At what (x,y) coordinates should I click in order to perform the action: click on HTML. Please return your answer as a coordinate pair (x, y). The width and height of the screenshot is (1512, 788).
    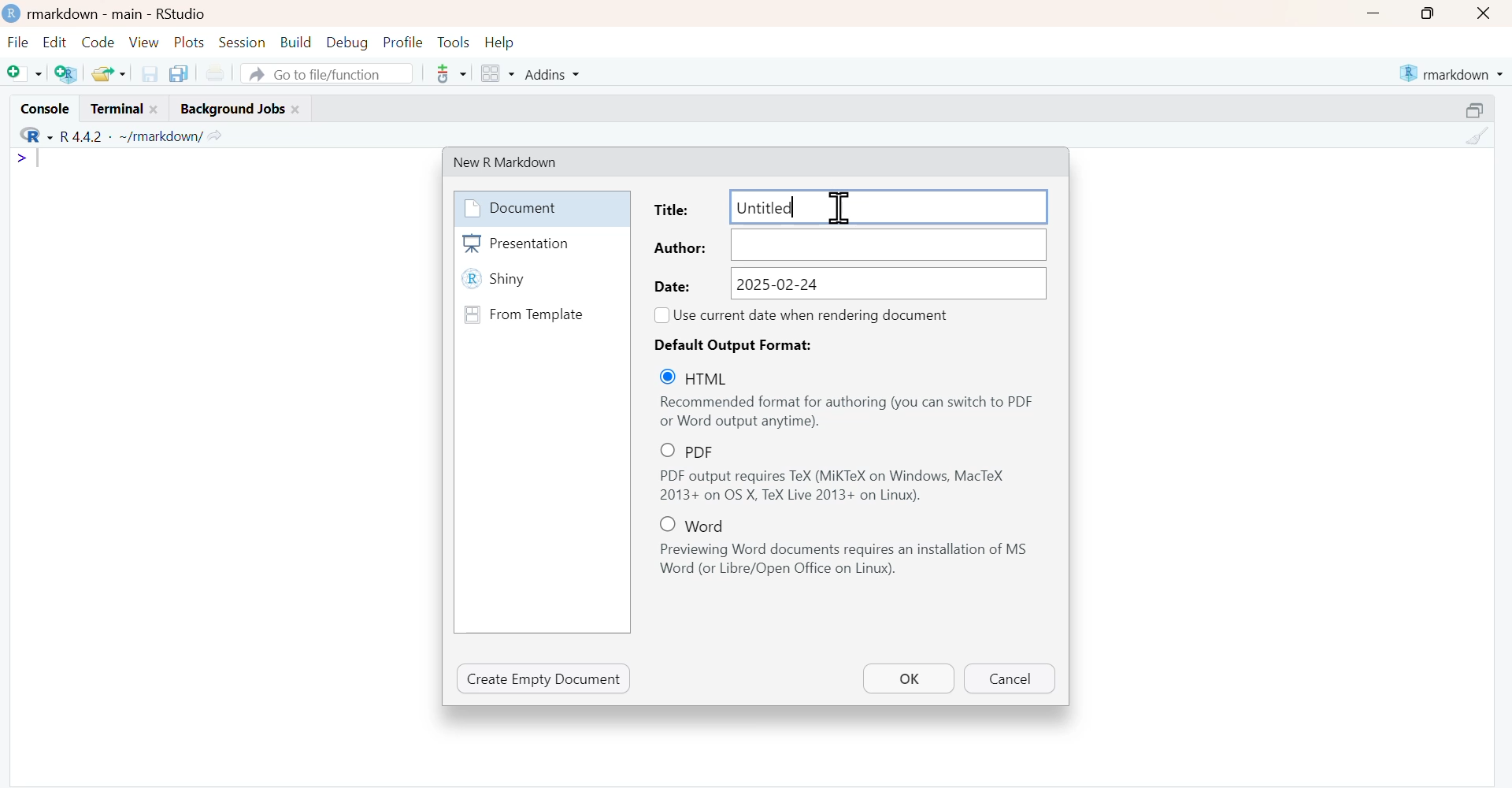
    Looking at the image, I should click on (705, 377).